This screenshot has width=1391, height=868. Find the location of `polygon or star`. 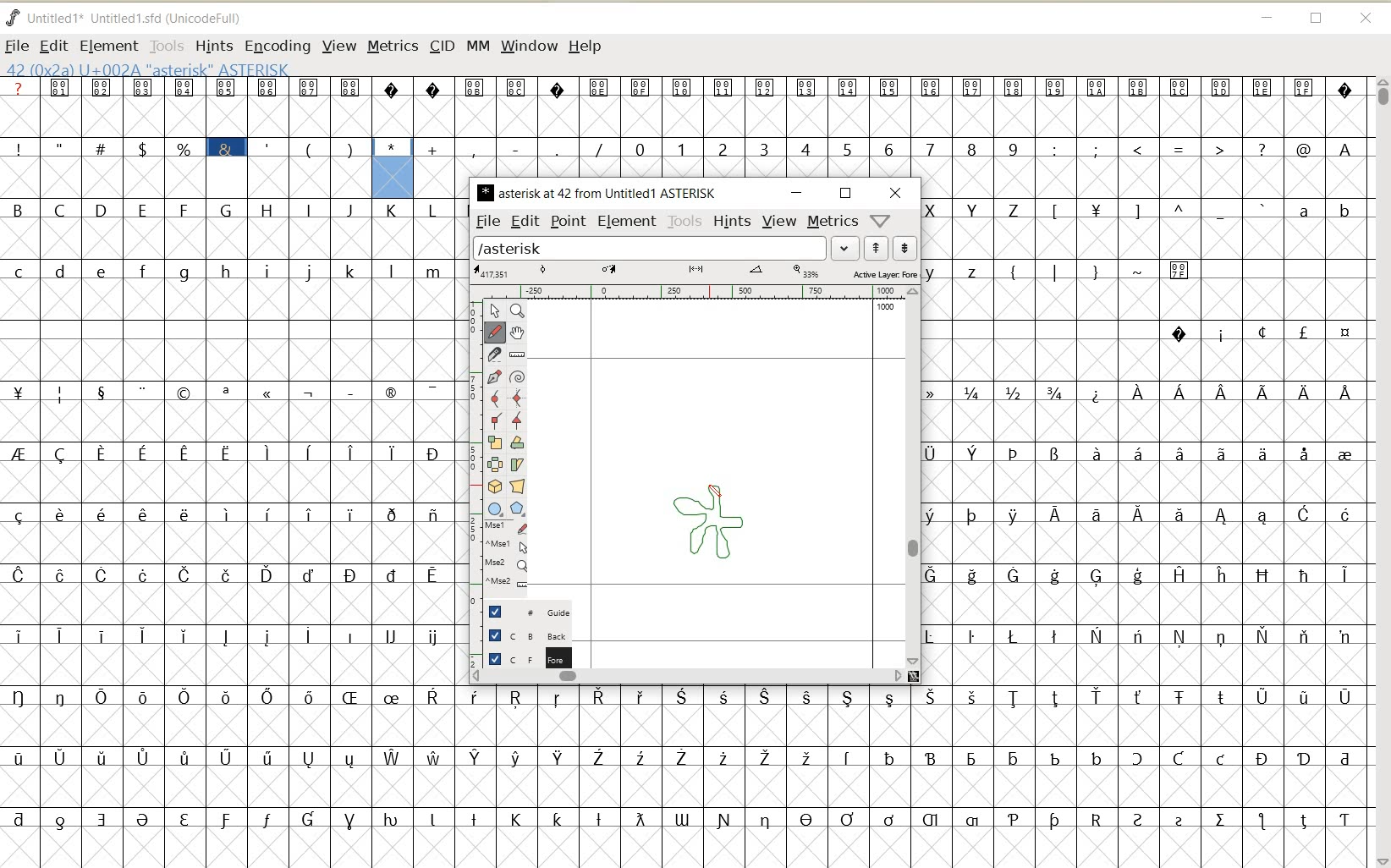

polygon or star is located at coordinates (518, 509).